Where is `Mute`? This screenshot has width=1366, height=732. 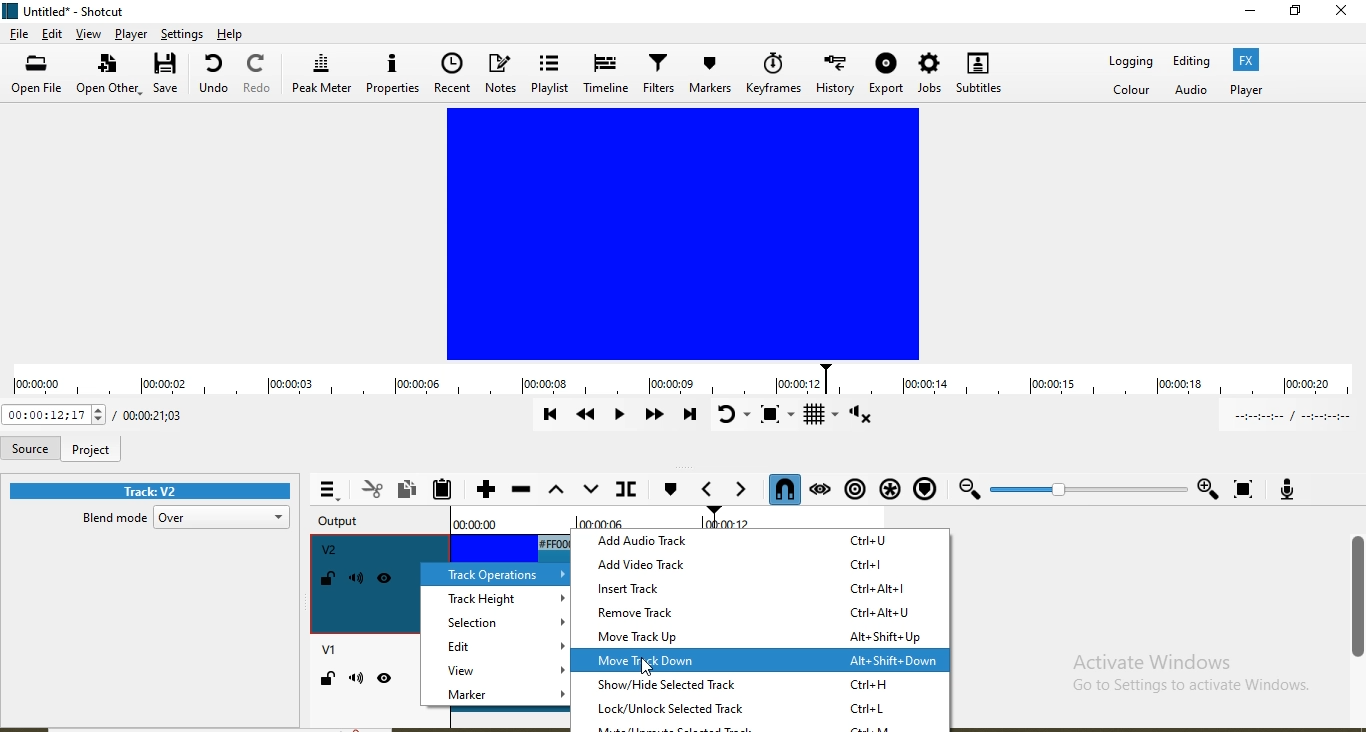
Mute is located at coordinates (356, 680).